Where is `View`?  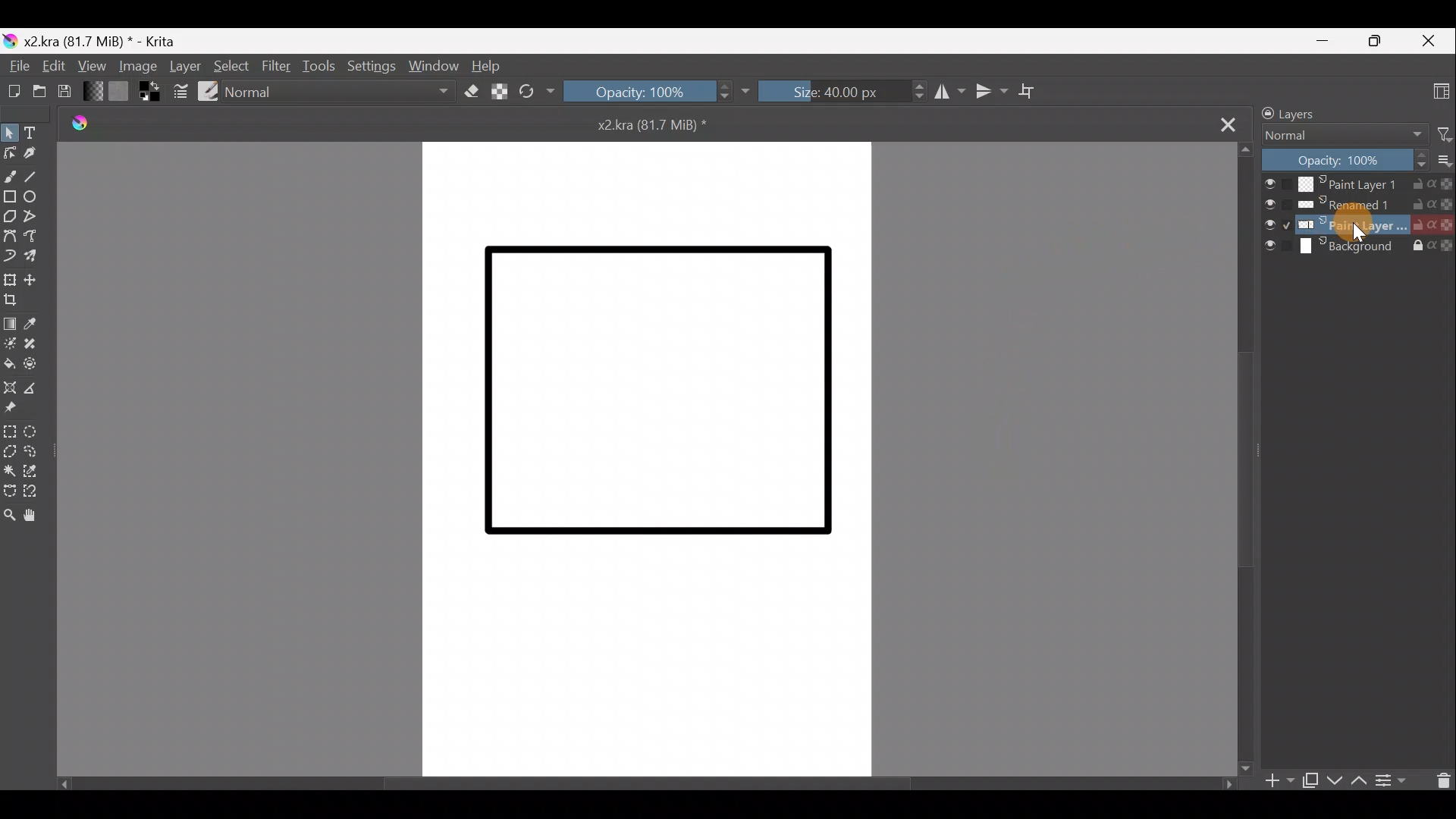 View is located at coordinates (89, 64).